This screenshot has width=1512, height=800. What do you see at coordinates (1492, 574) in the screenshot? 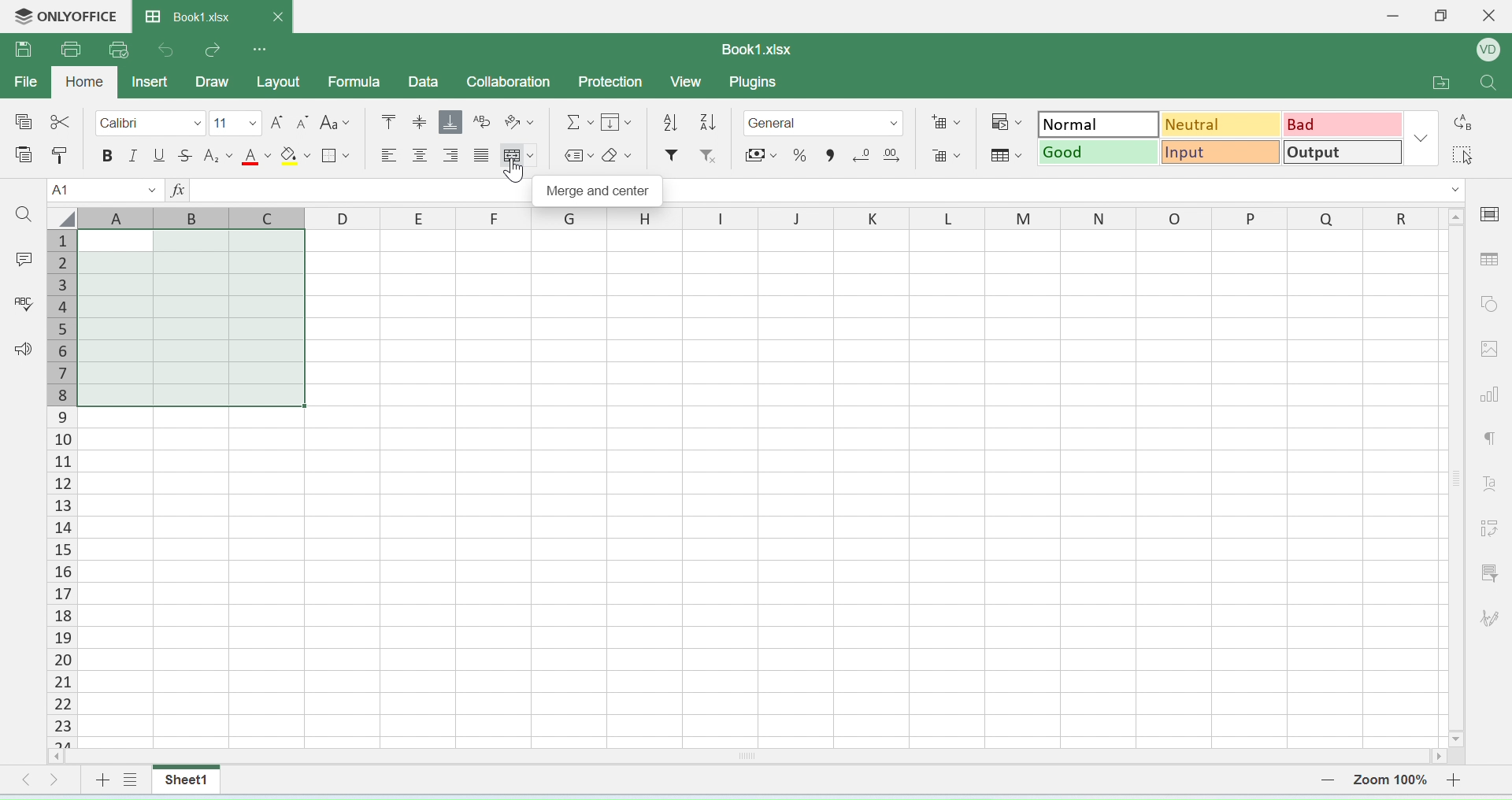
I see `filter` at bounding box center [1492, 574].